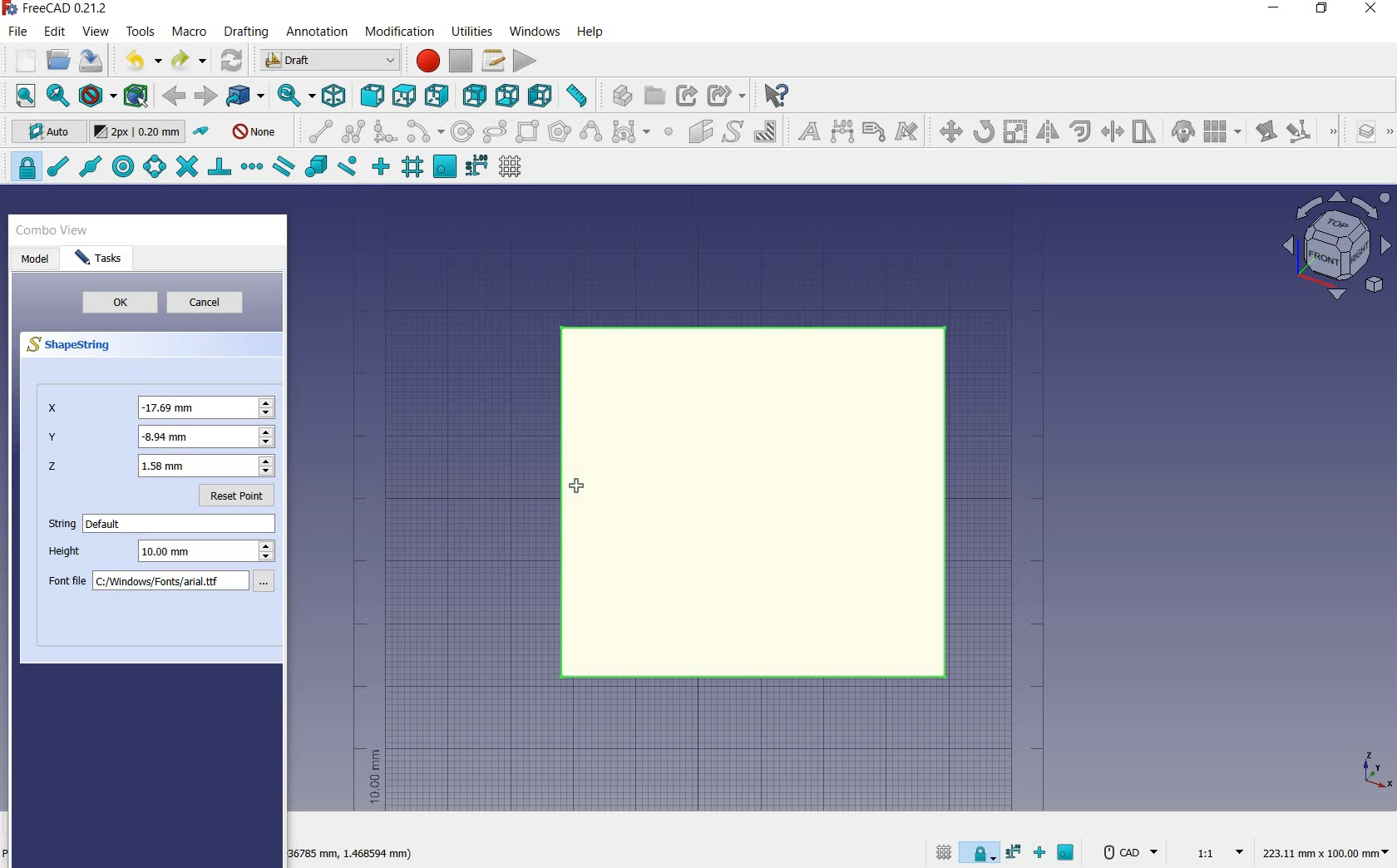 The height and width of the screenshot is (868, 1397). What do you see at coordinates (1111, 133) in the screenshot?
I see `trimex` at bounding box center [1111, 133].